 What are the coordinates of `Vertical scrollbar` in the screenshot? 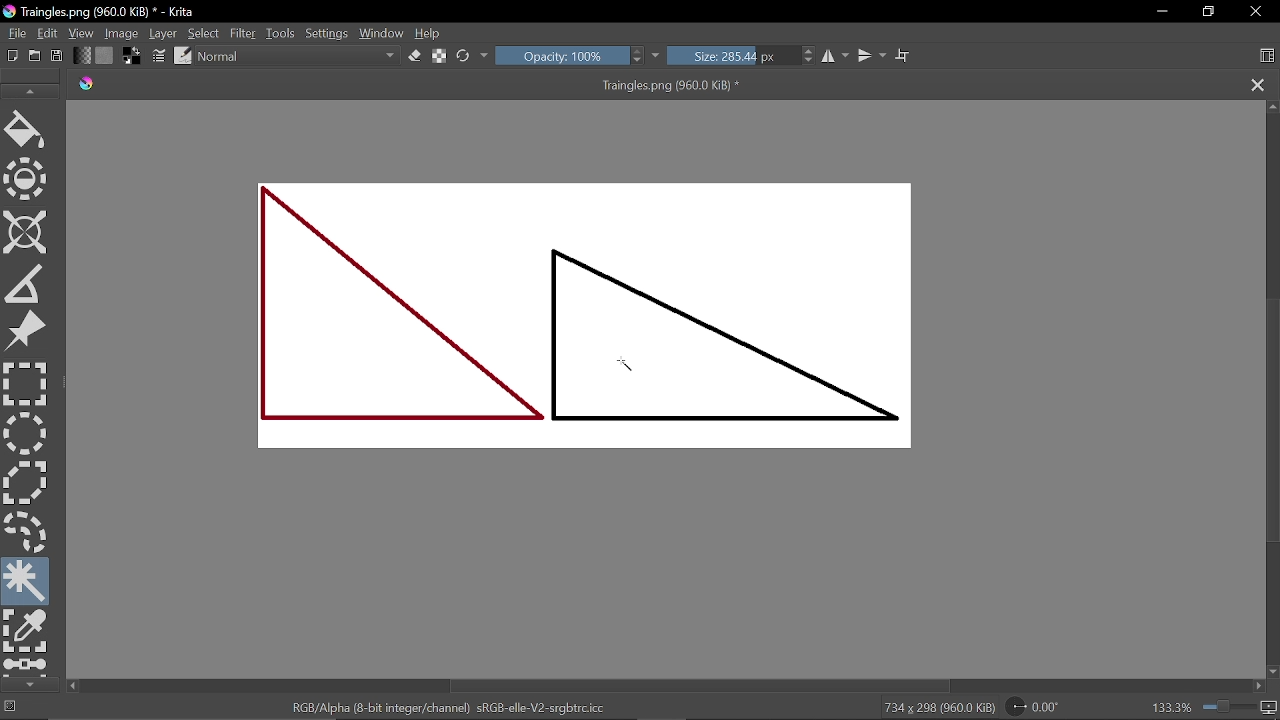 It's located at (1272, 422).